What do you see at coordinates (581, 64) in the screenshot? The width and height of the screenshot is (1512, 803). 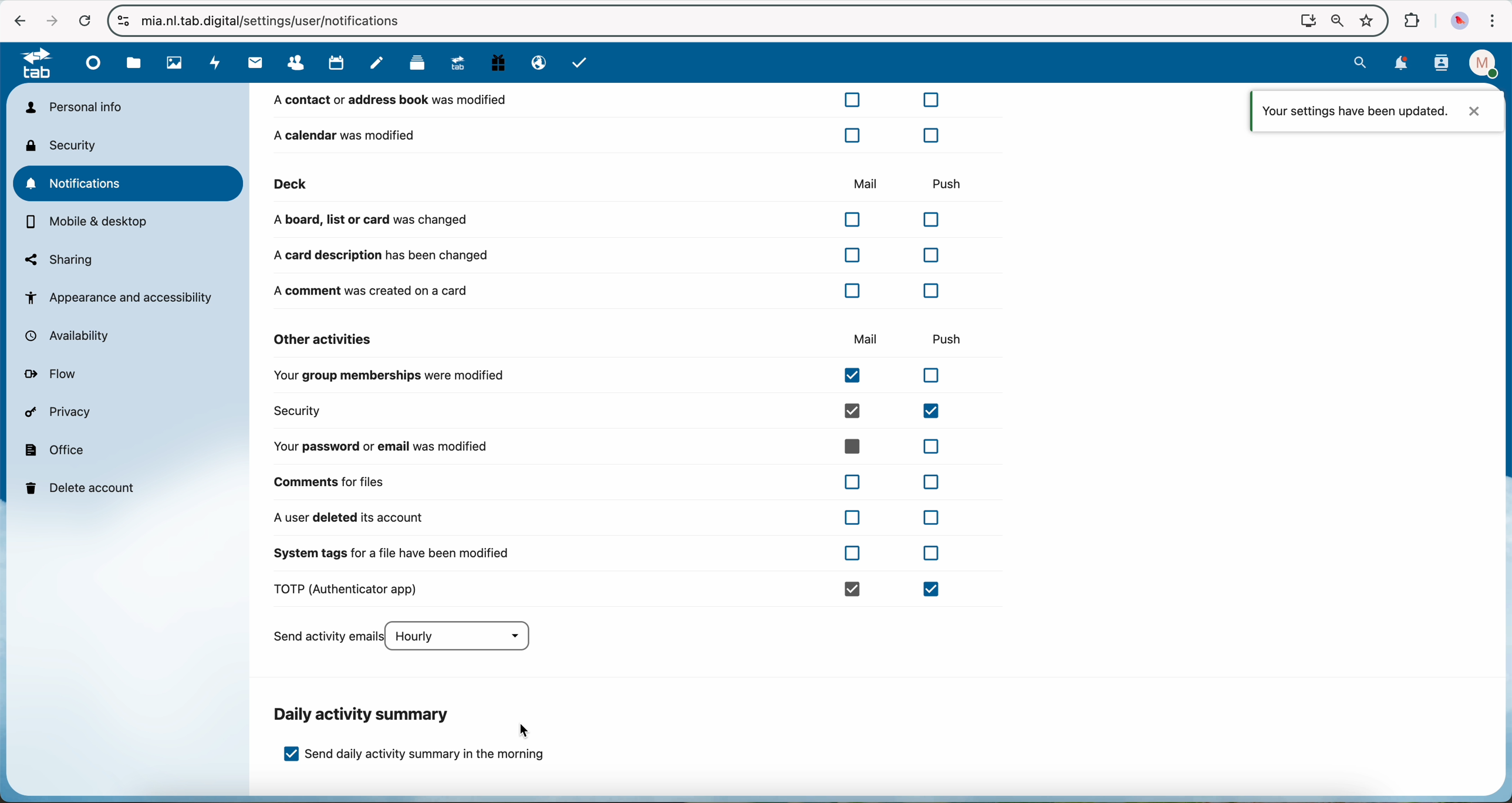 I see `task` at bounding box center [581, 64].